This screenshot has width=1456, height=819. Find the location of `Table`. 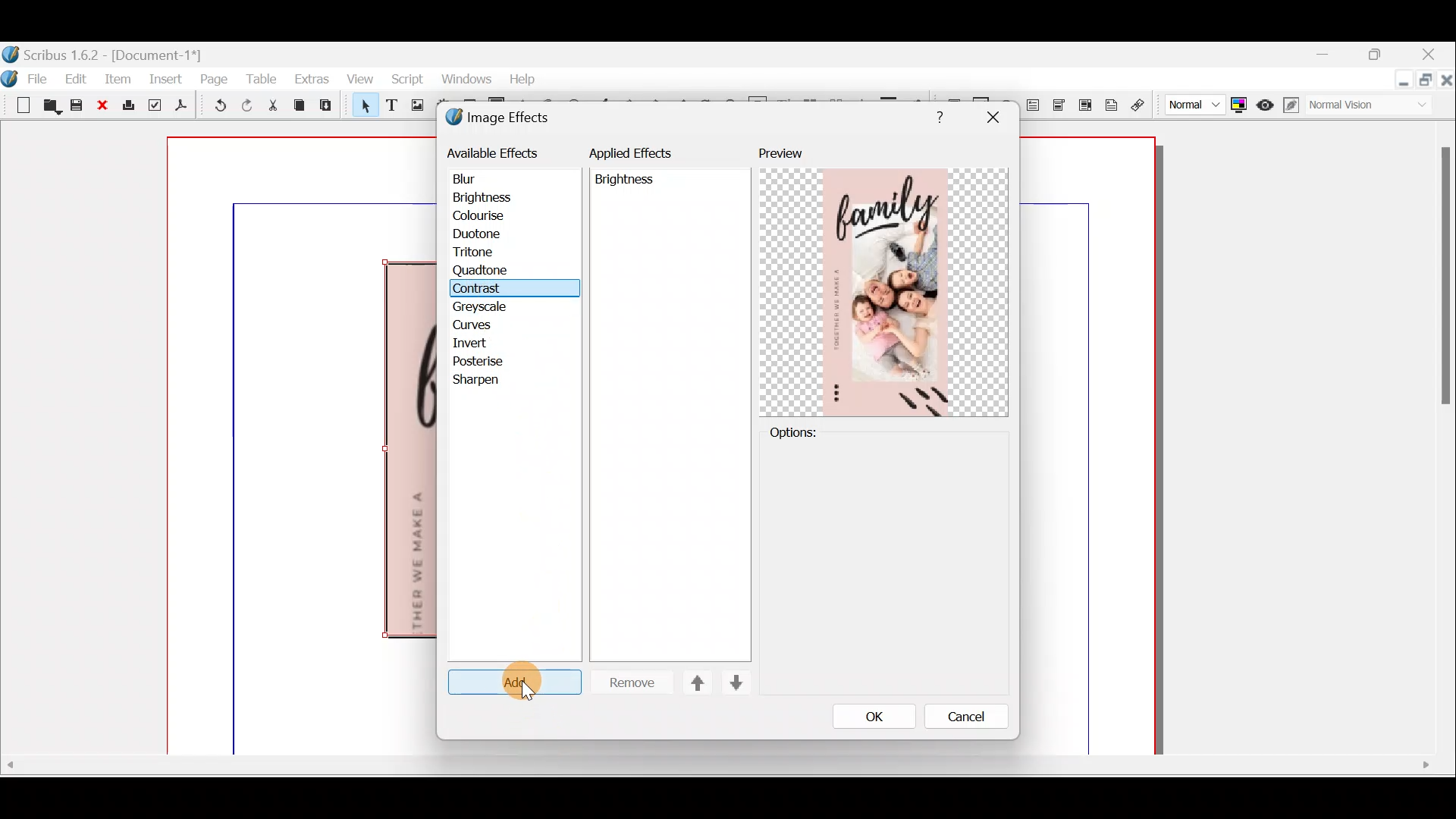

Table is located at coordinates (262, 78).